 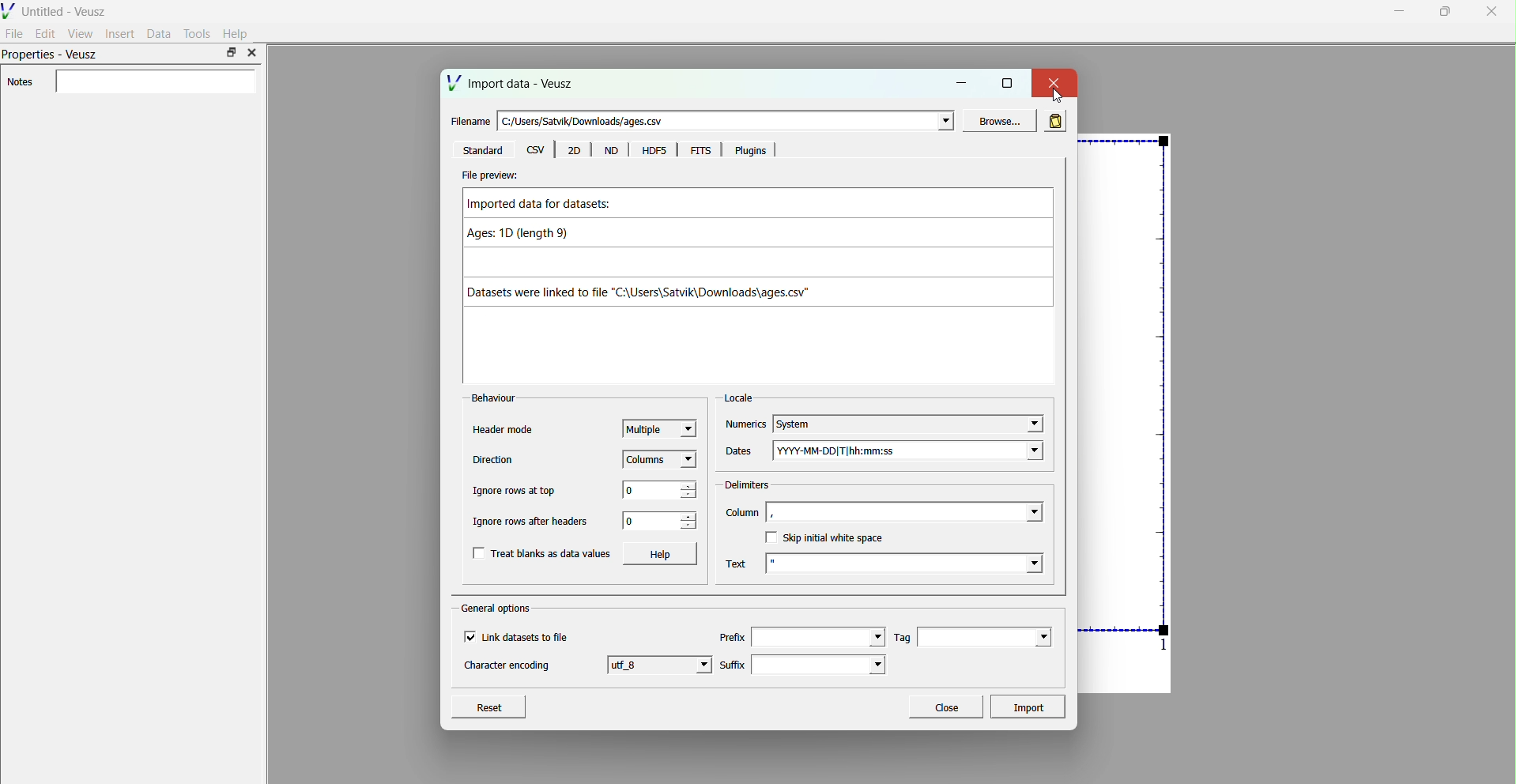 What do you see at coordinates (653, 151) in the screenshot?
I see `HDF5` at bounding box center [653, 151].